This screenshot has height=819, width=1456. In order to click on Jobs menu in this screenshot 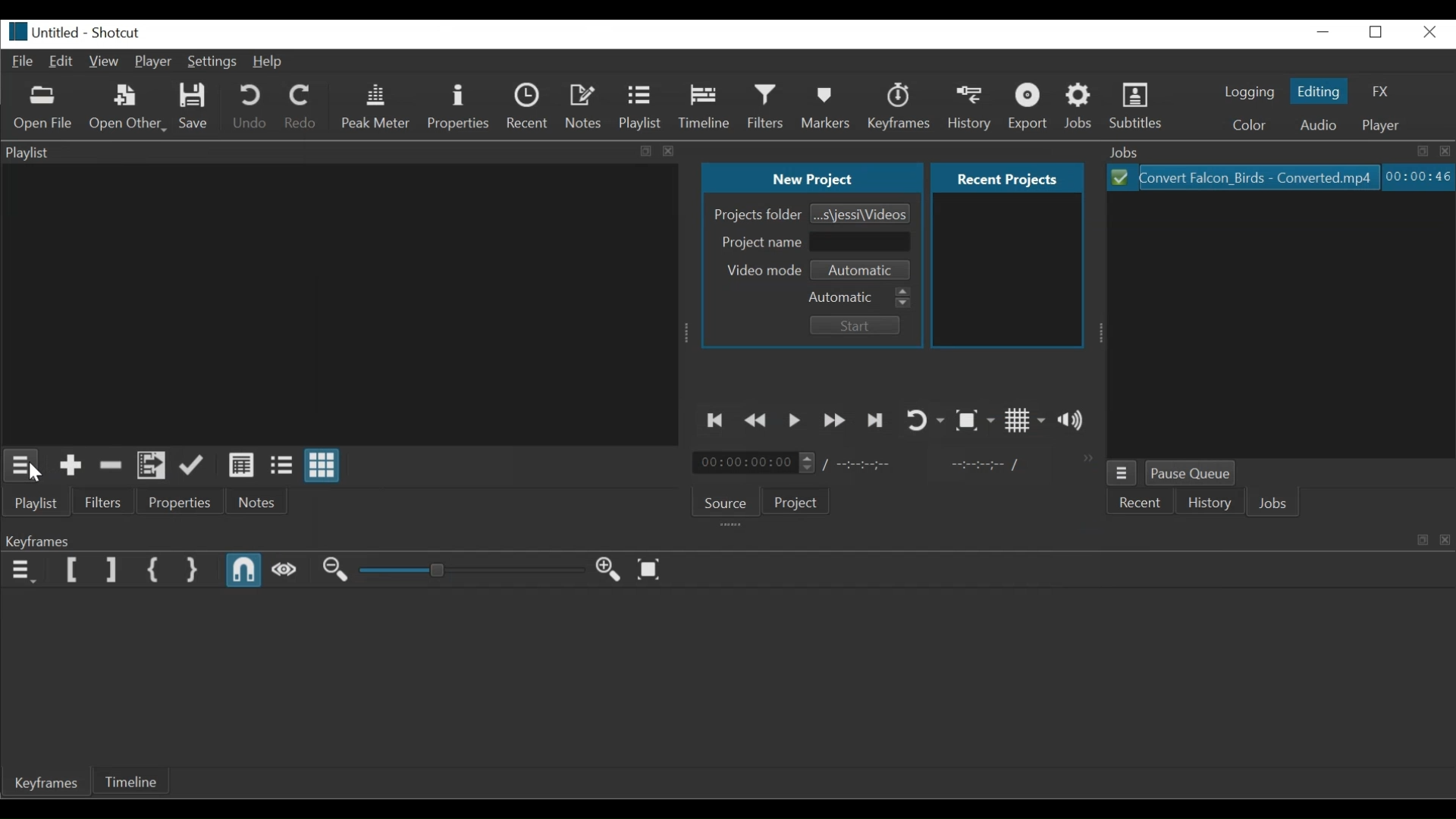, I will do `click(1123, 472)`.